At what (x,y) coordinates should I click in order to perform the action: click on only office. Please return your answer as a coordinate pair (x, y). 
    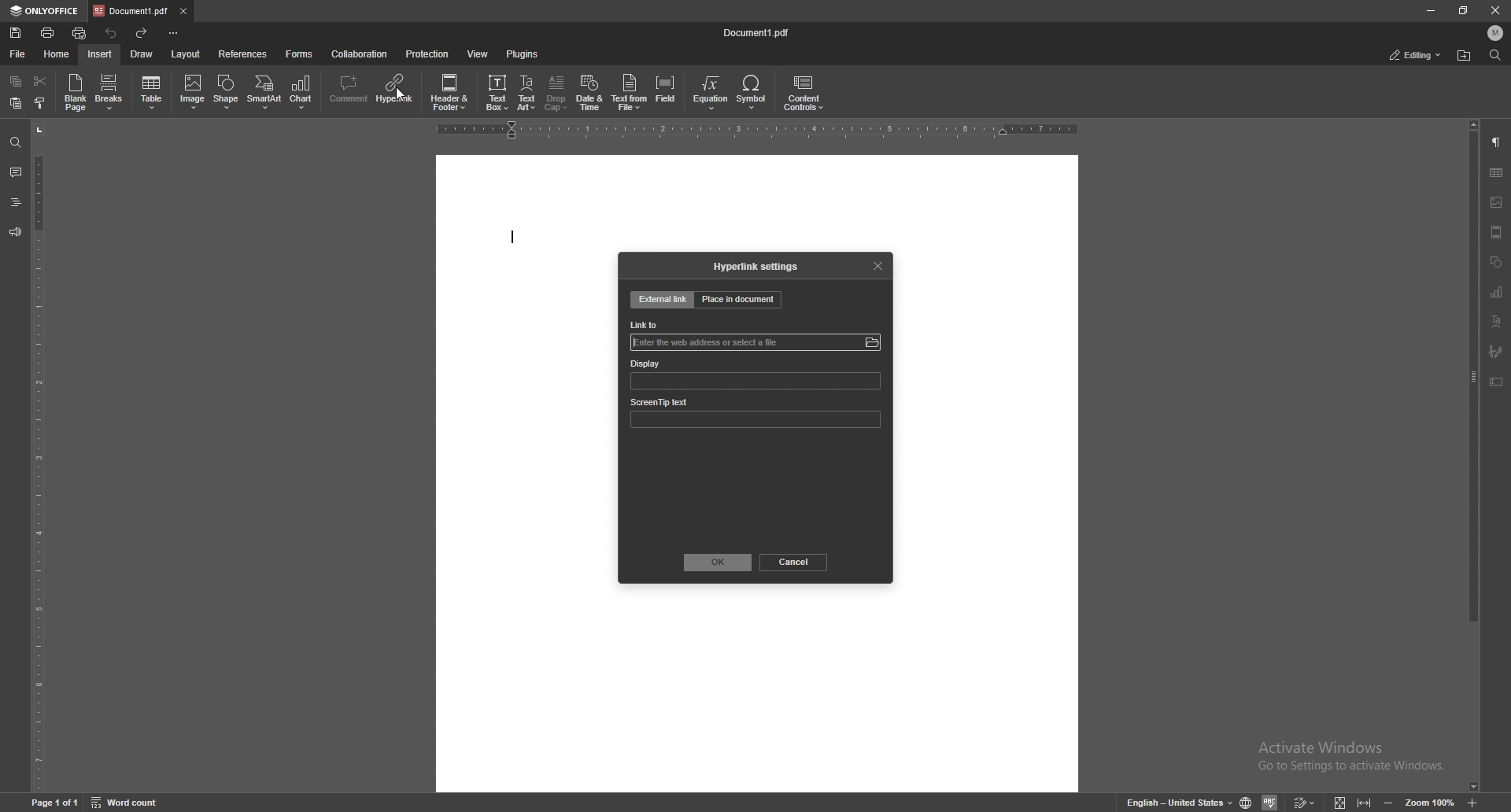
    Looking at the image, I should click on (46, 11).